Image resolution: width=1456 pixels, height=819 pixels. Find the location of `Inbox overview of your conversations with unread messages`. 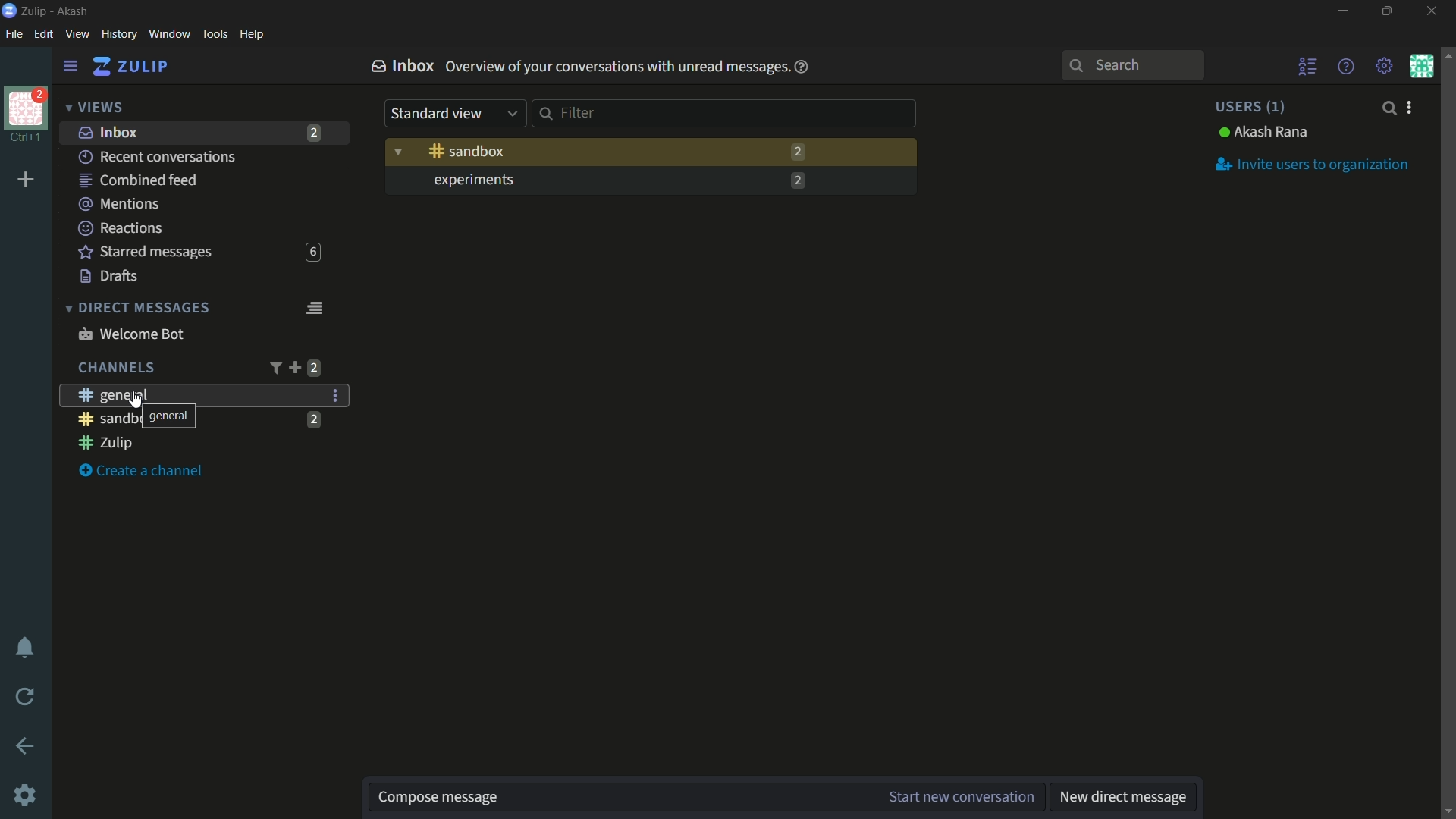

Inbox overview of your conversations with unread messages is located at coordinates (578, 66).